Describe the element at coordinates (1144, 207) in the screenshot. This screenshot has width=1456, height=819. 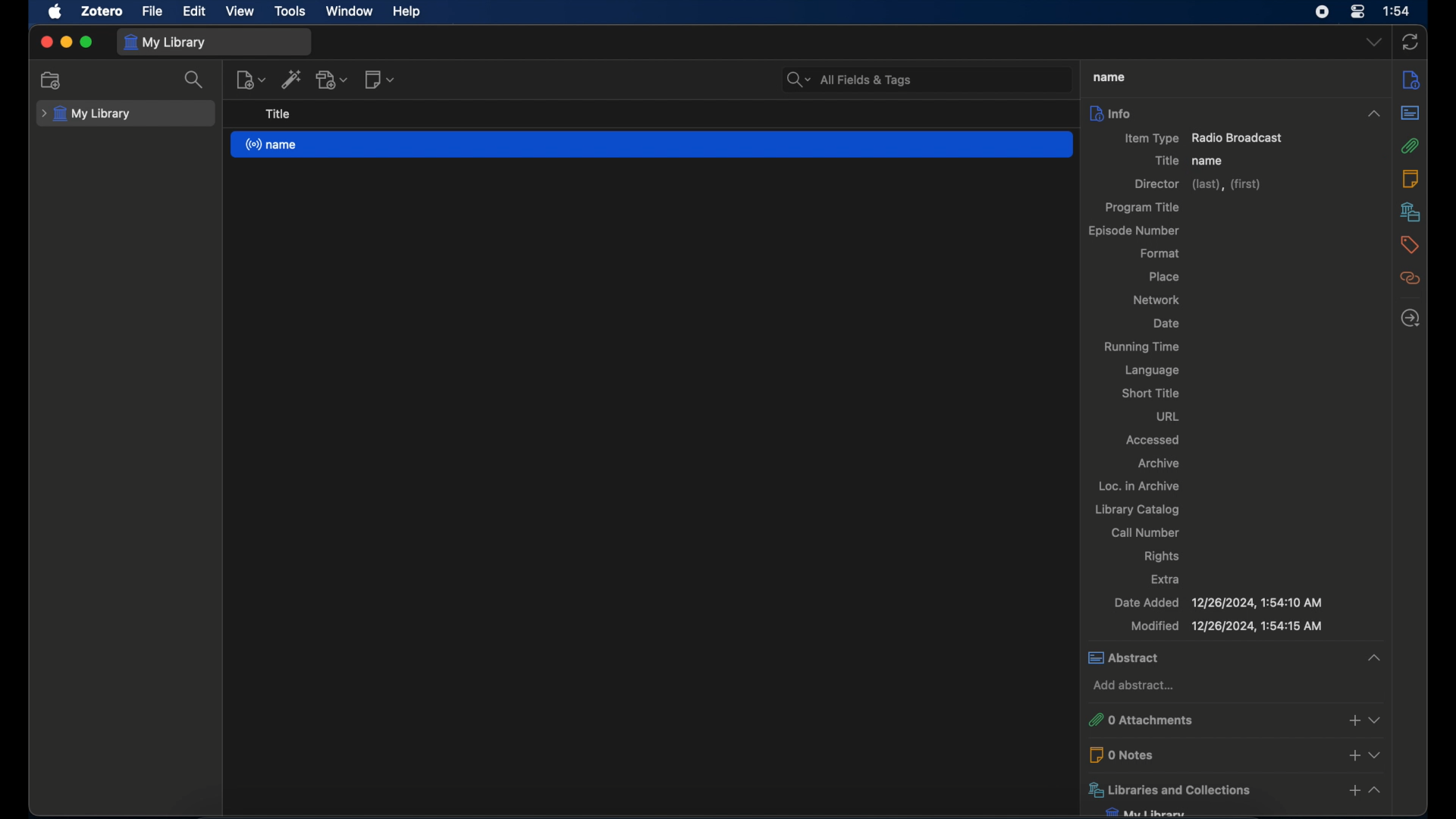
I see `program title` at that location.